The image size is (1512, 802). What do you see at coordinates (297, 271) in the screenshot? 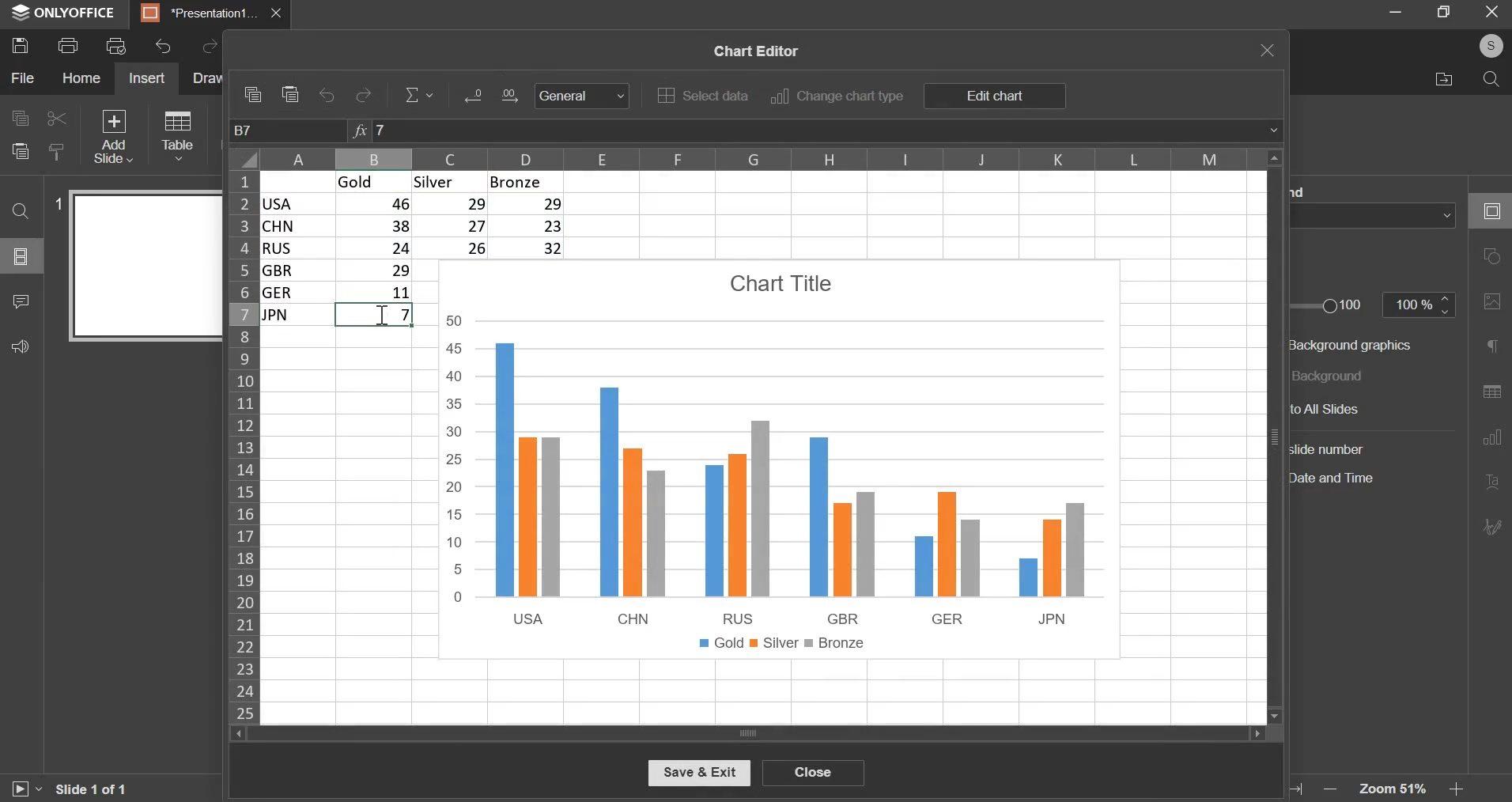
I see `gbr` at bounding box center [297, 271].